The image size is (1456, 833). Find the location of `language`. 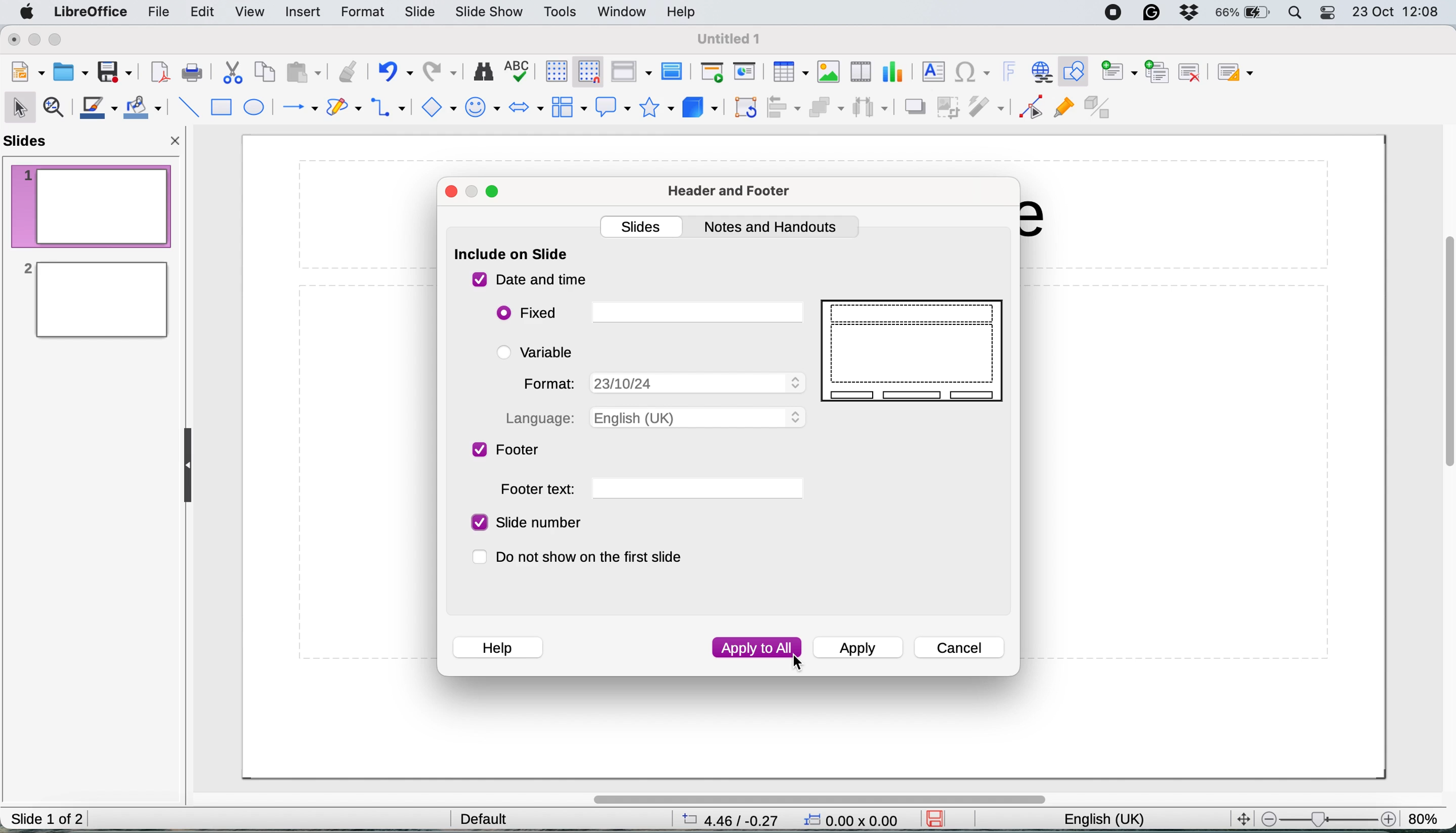

language is located at coordinates (655, 417).